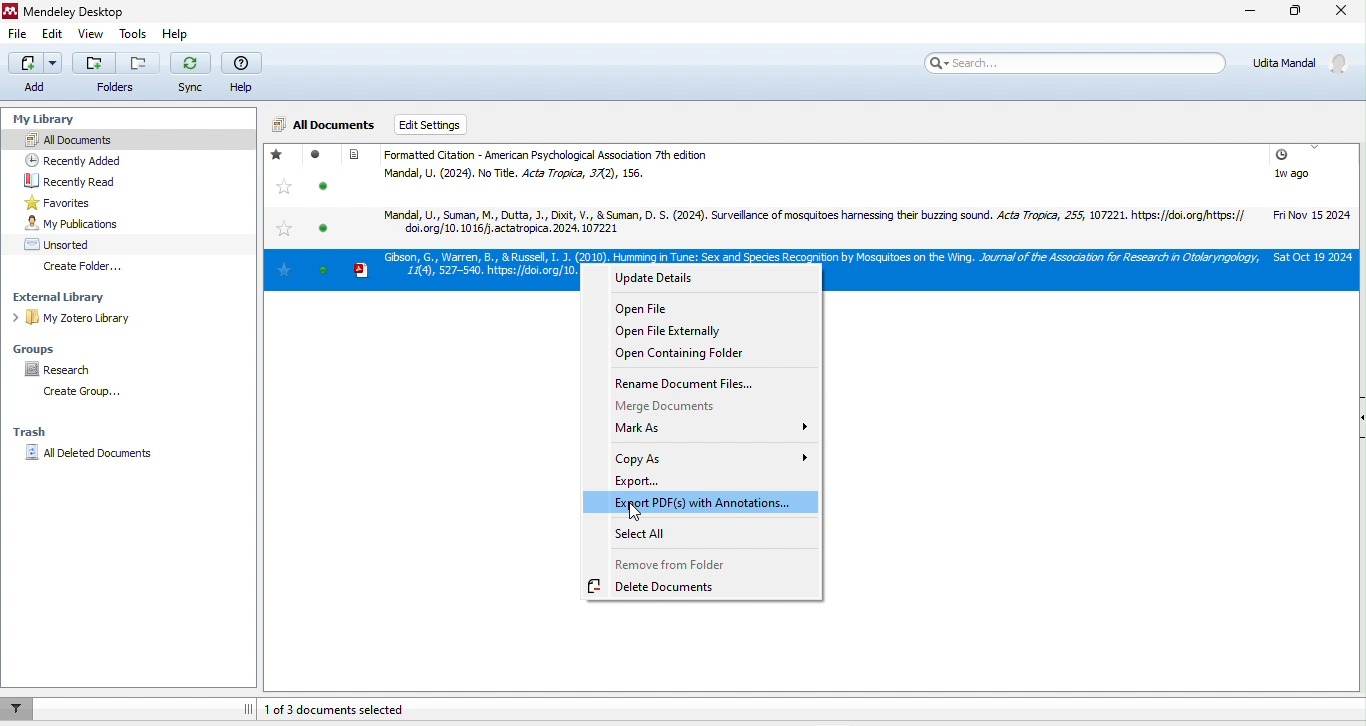 The image size is (1366, 726). What do you see at coordinates (88, 179) in the screenshot?
I see `recently read` at bounding box center [88, 179].